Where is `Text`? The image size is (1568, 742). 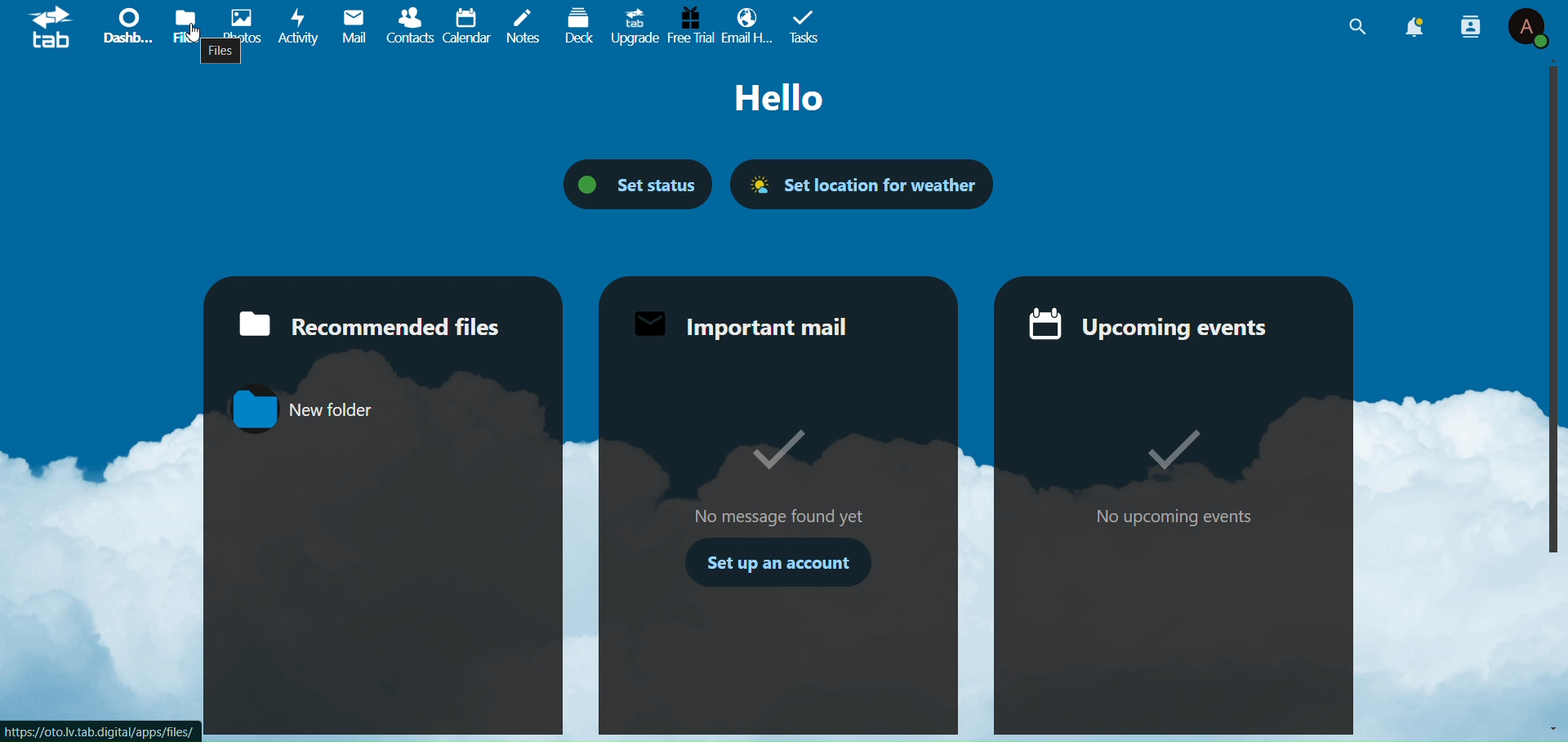 Text is located at coordinates (1185, 468).